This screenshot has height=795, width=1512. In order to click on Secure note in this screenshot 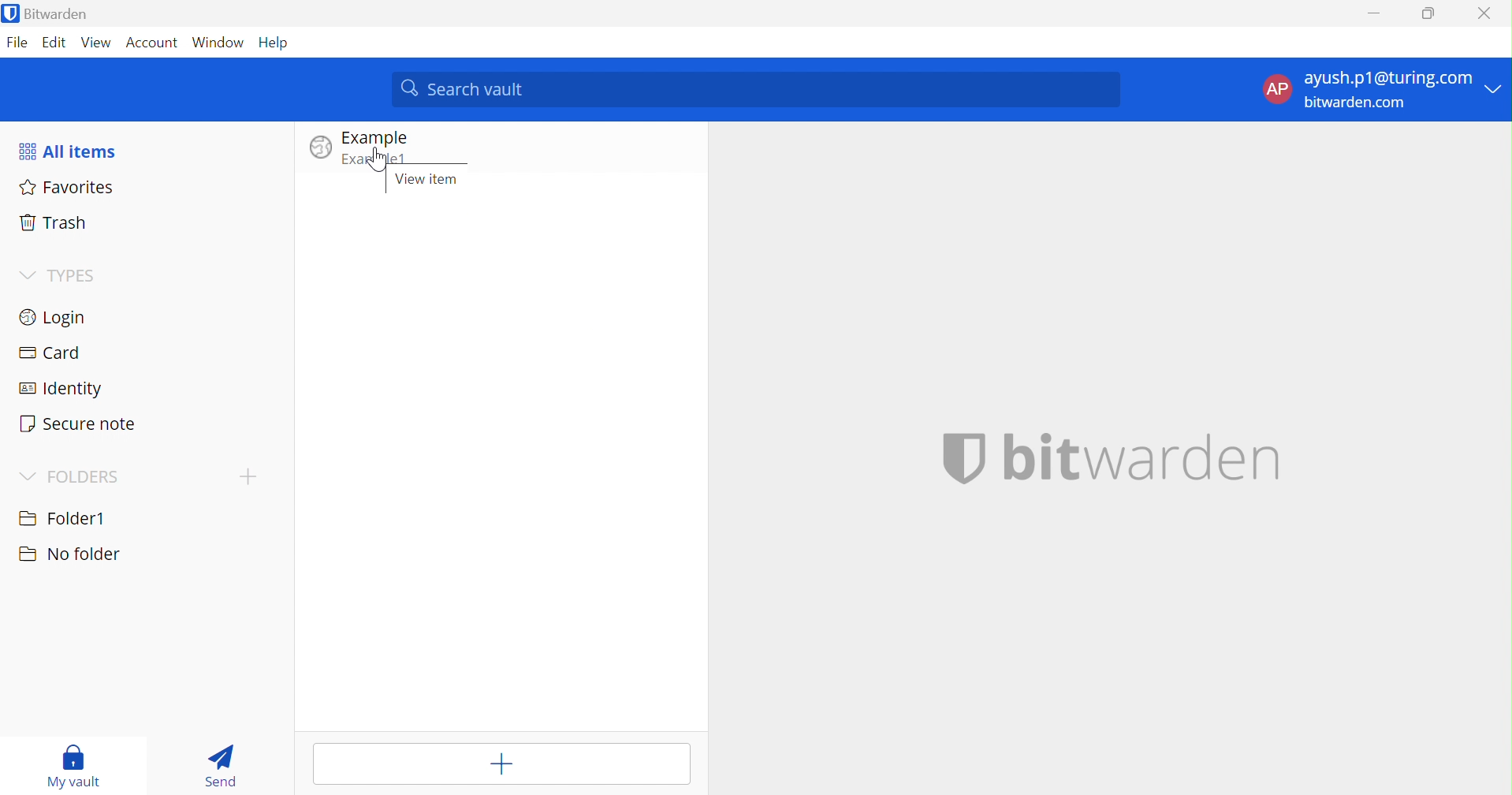, I will do `click(78, 424)`.